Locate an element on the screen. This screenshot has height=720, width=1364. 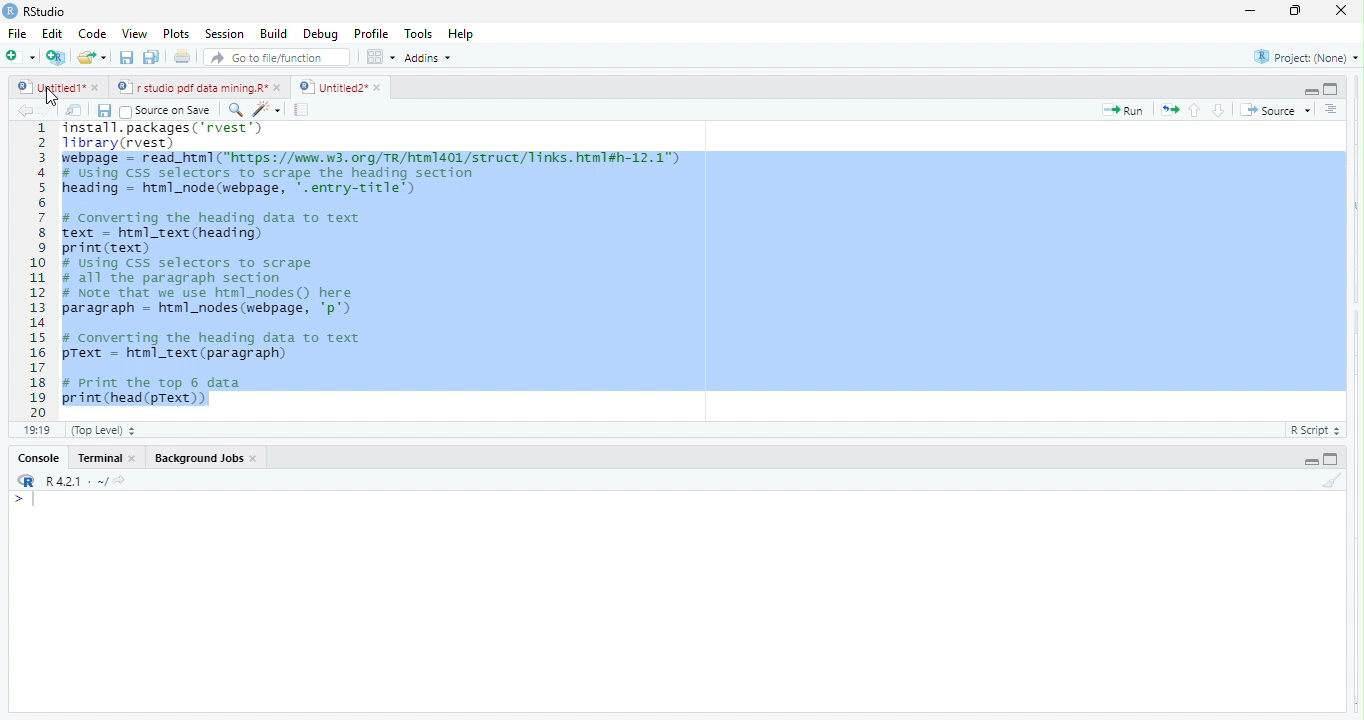
 Go to file/function is located at coordinates (278, 58).